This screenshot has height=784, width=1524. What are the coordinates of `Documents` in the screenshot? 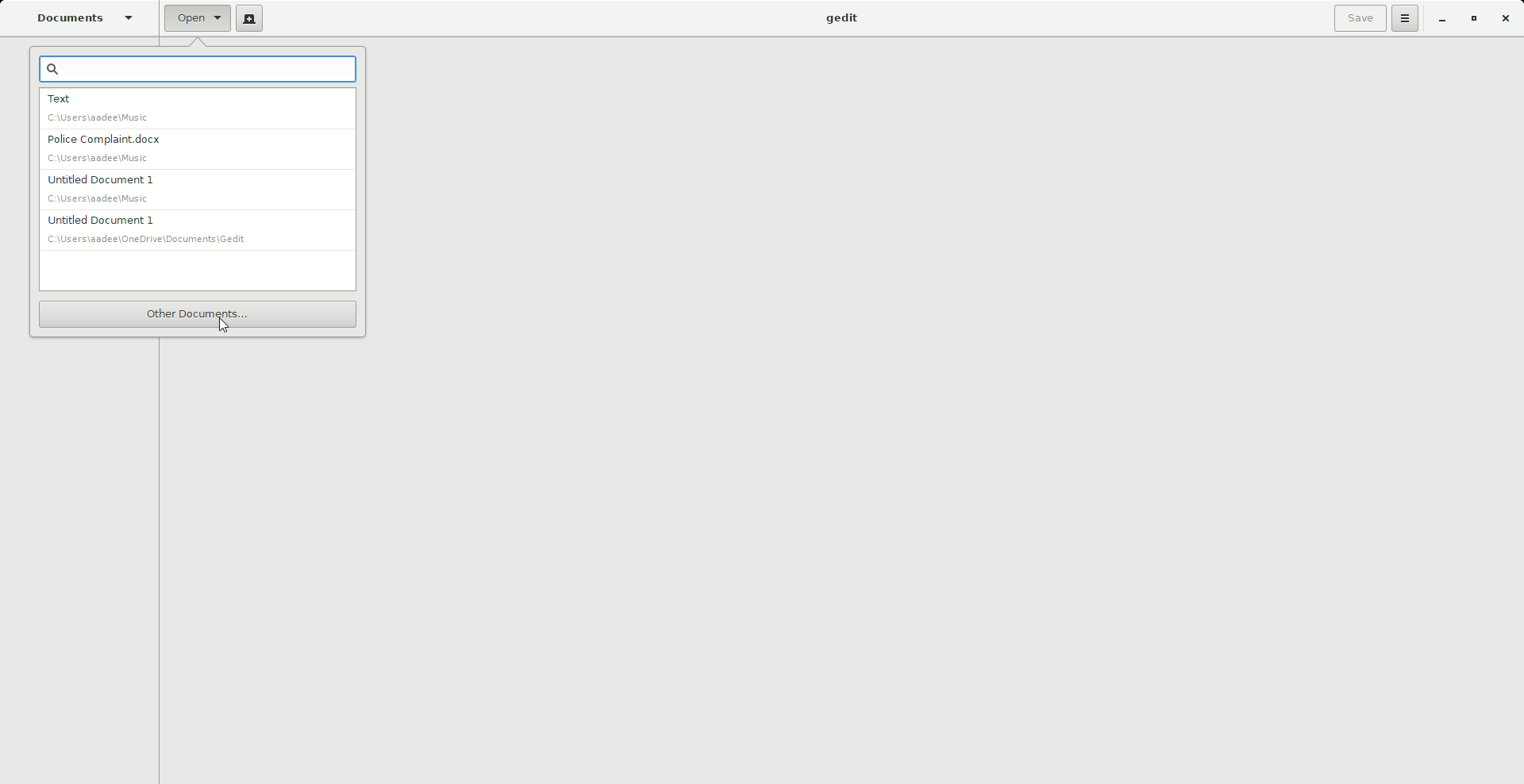 It's located at (84, 19).